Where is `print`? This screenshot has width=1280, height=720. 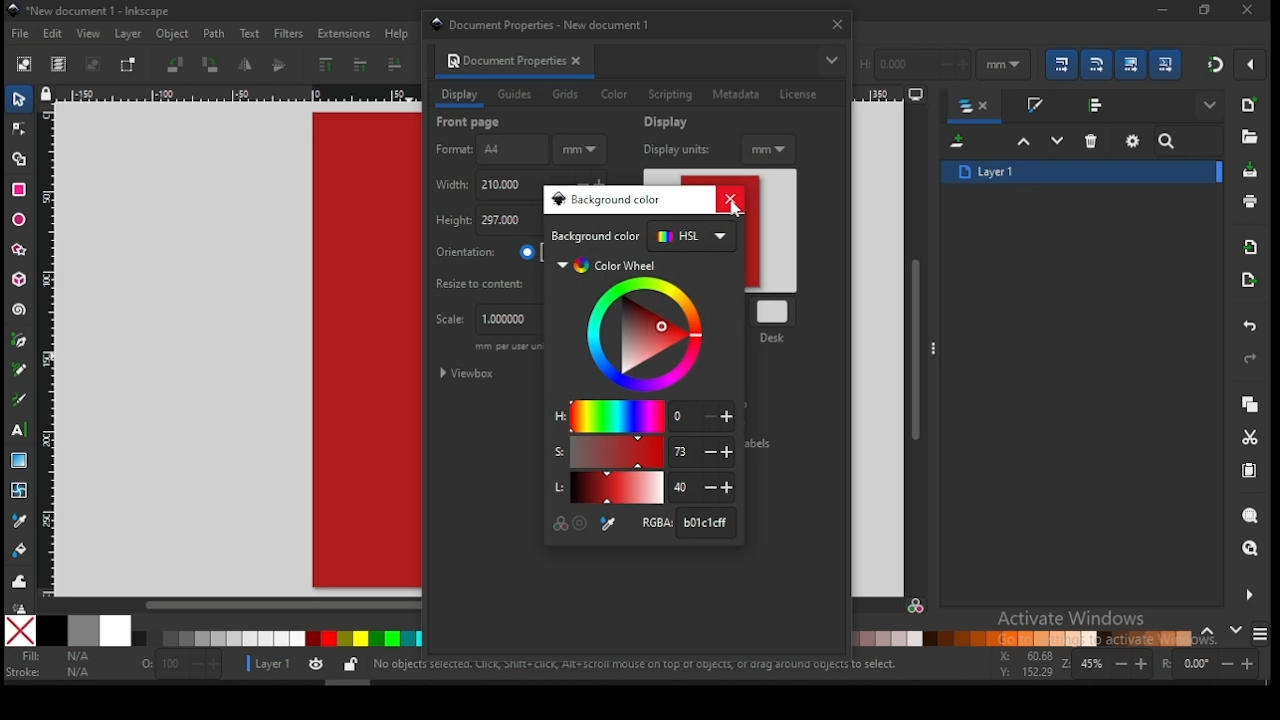
print is located at coordinates (1250, 202).